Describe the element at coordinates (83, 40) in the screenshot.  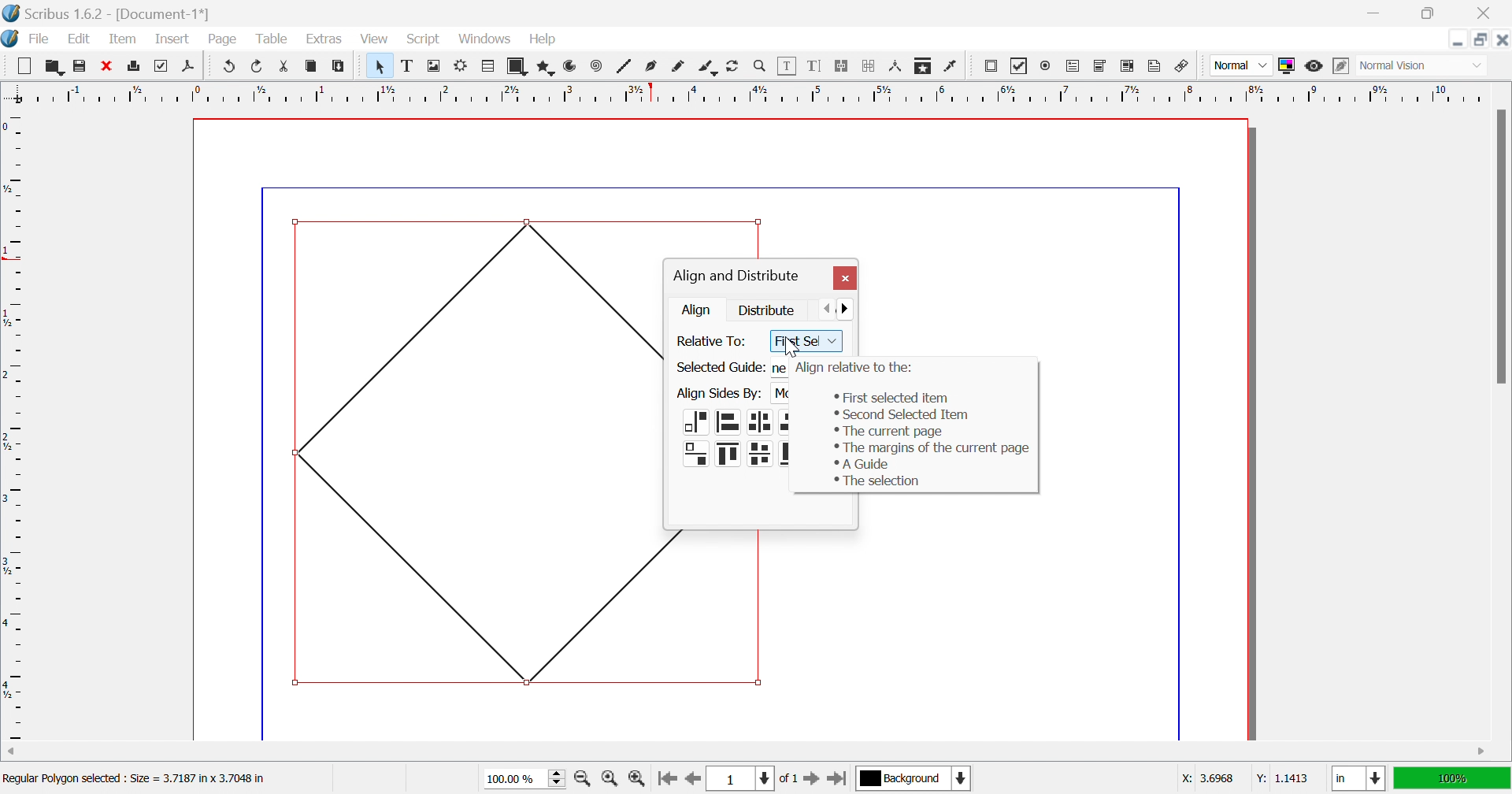
I see `Edit` at that location.